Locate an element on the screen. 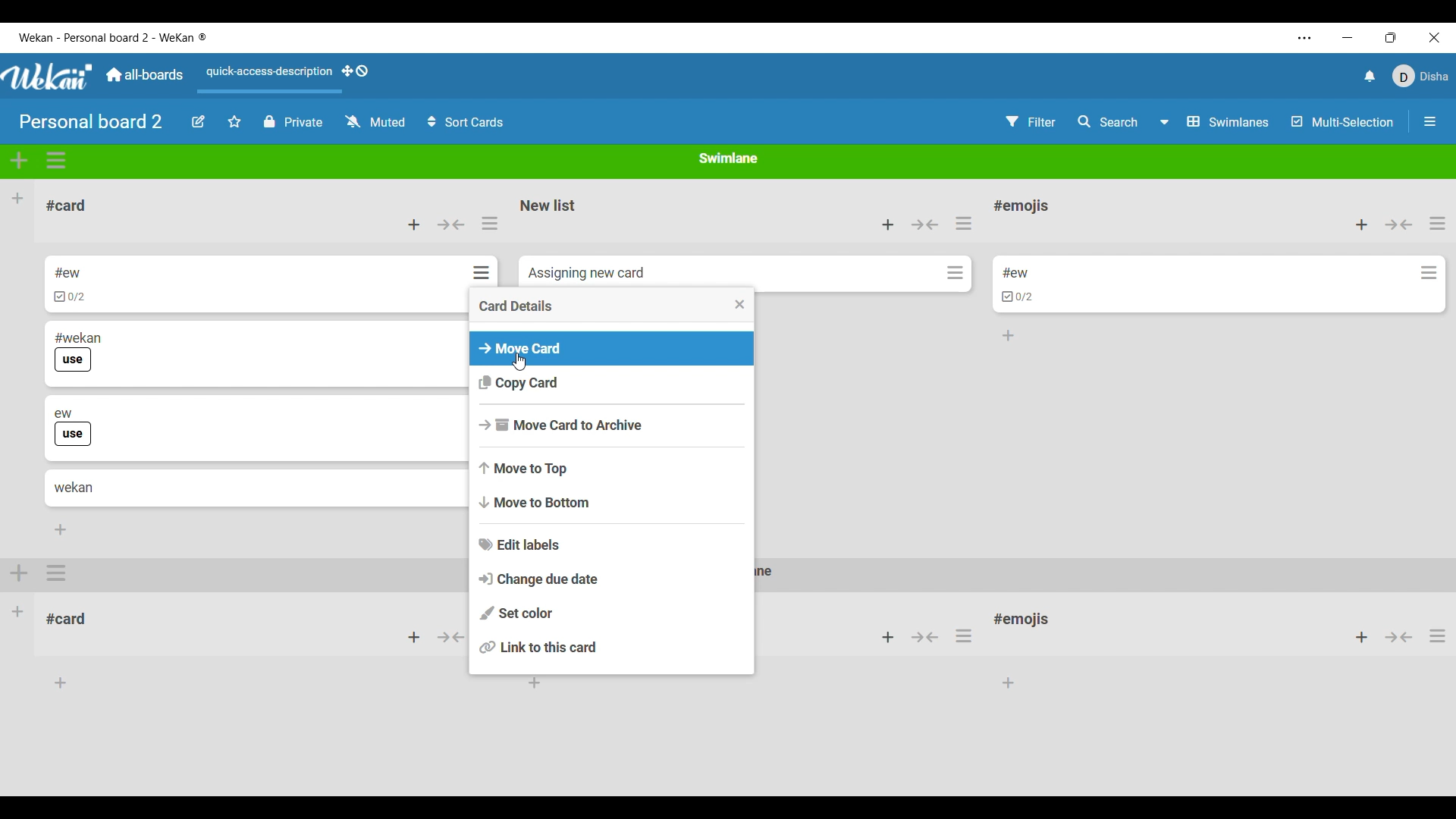 This screenshot has width=1456, height=819. Multi selection is located at coordinates (1343, 122).